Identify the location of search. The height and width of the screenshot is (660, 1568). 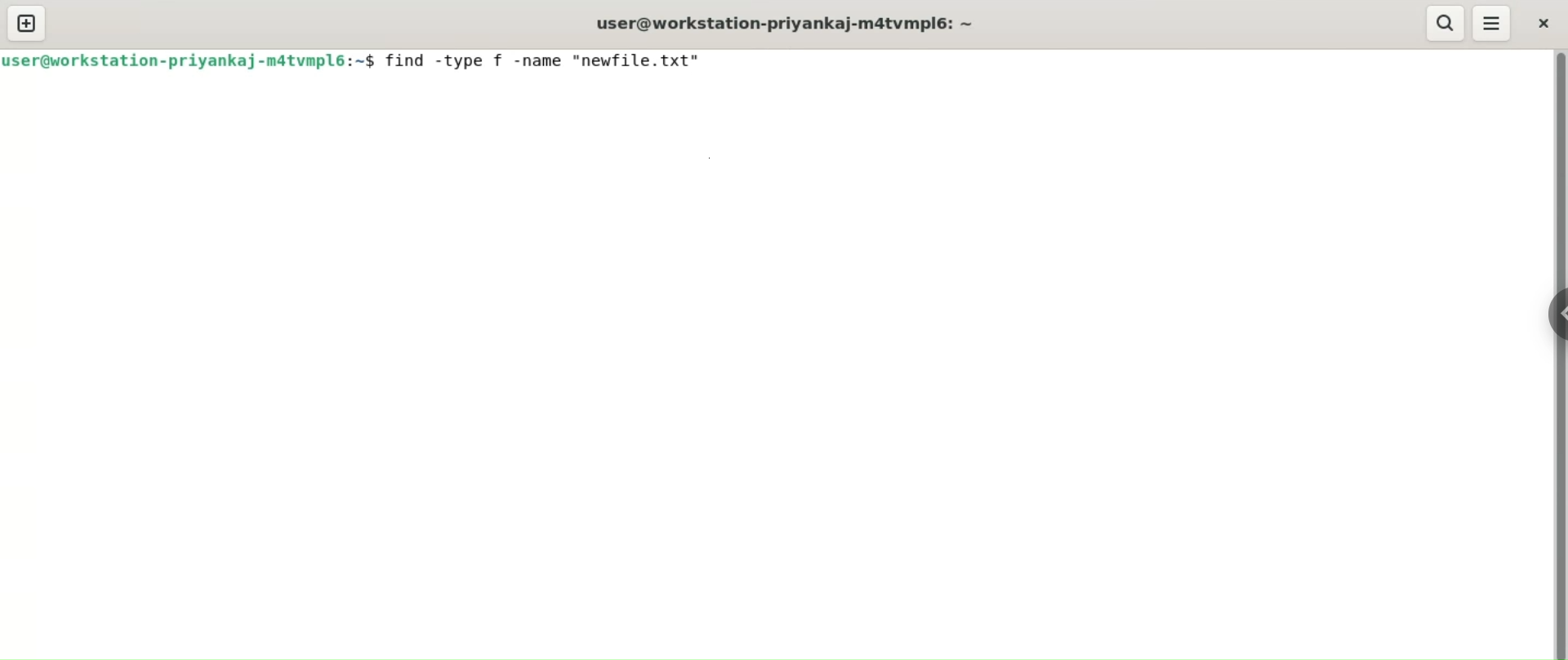
(1444, 23).